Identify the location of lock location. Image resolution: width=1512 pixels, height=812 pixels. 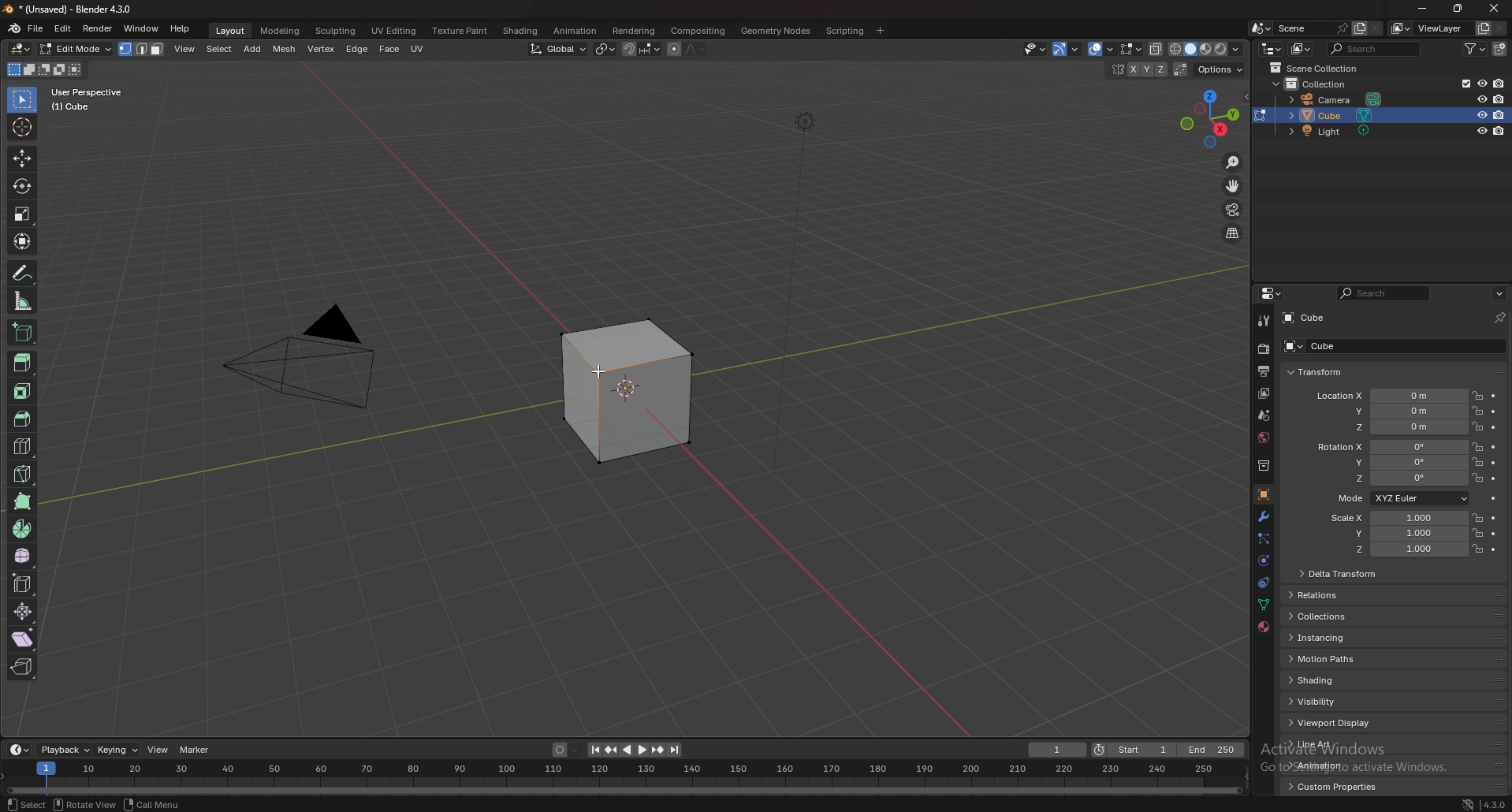
(1477, 396).